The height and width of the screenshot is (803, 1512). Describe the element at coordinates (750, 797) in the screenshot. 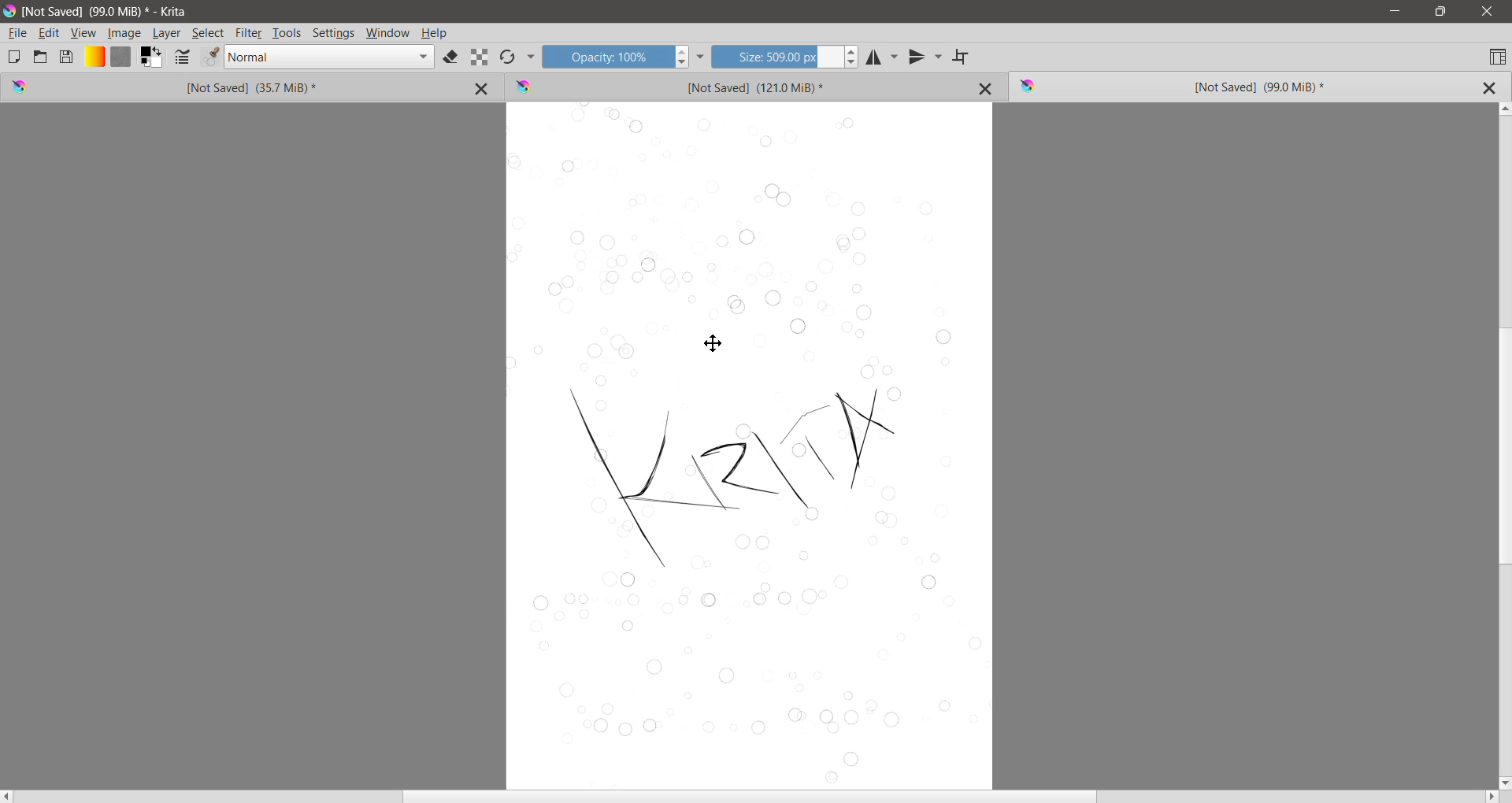

I see `Horizontal Scroll Bar` at that location.